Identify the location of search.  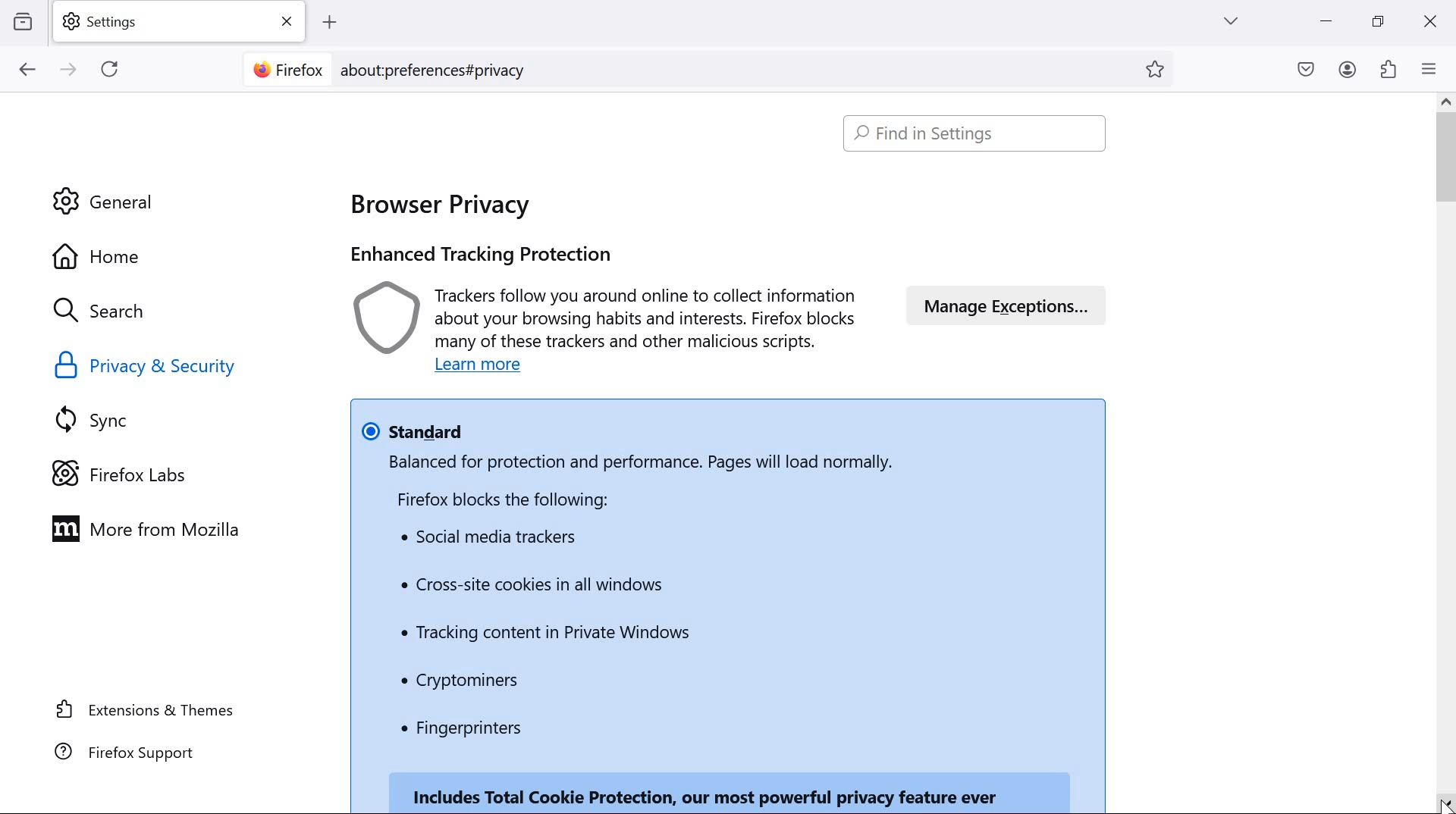
(115, 312).